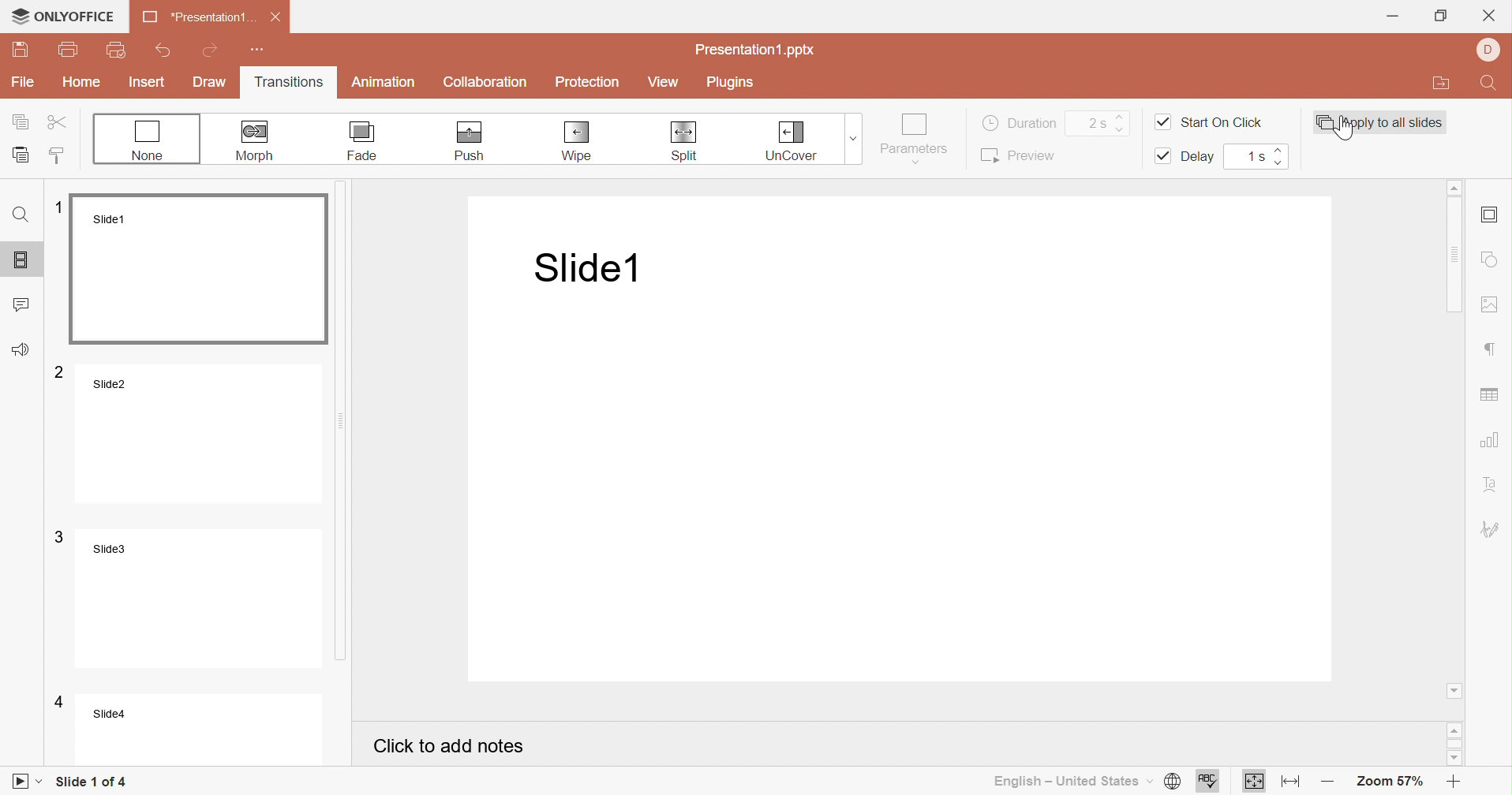 Image resolution: width=1512 pixels, height=795 pixels. I want to click on Presentation slide, so click(908, 441).